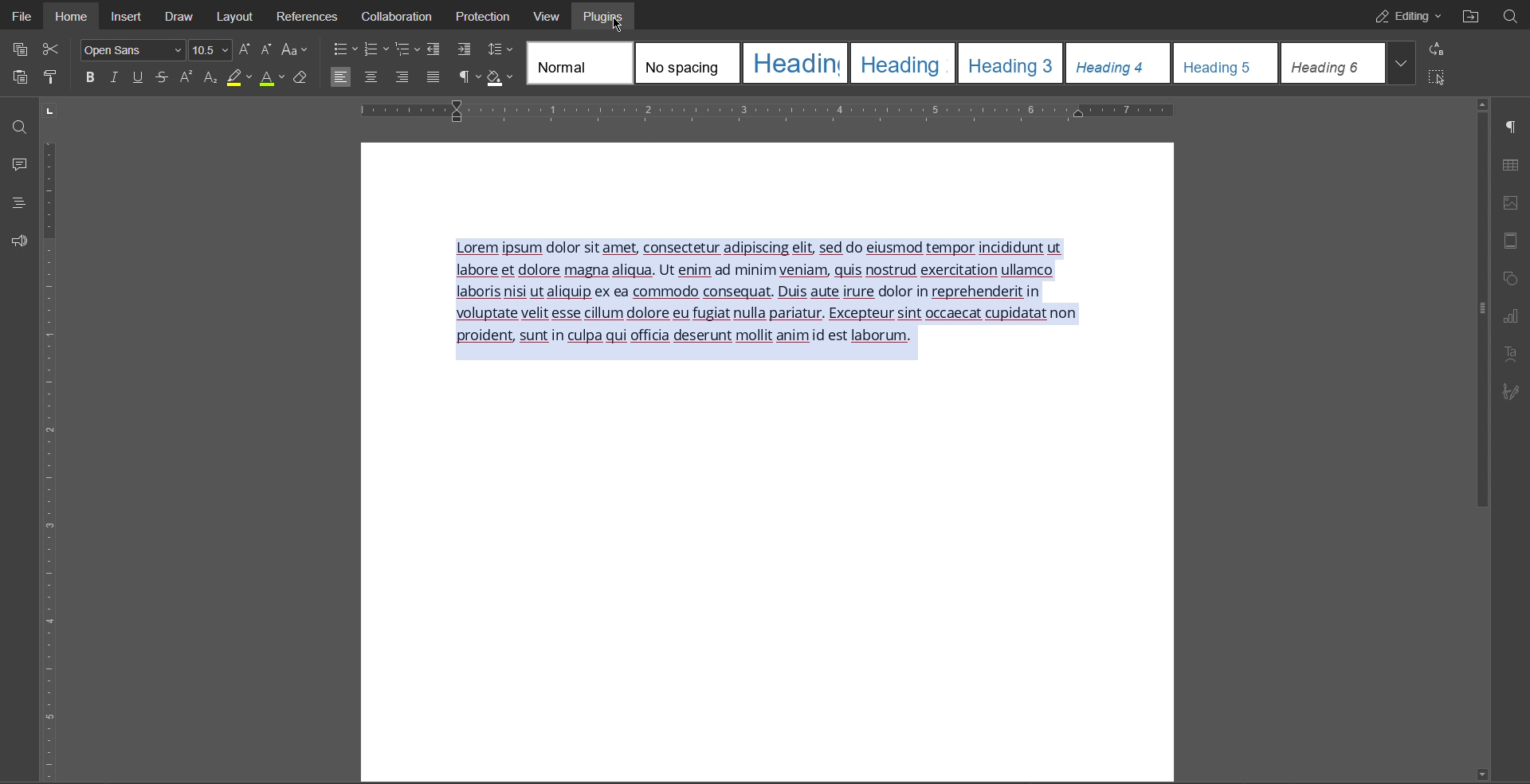 The width and height of the screenshot is (1530, 784). Describe the element at coordinates (1509, 316) in the screenshot. I see `Graph Settings` at that location.